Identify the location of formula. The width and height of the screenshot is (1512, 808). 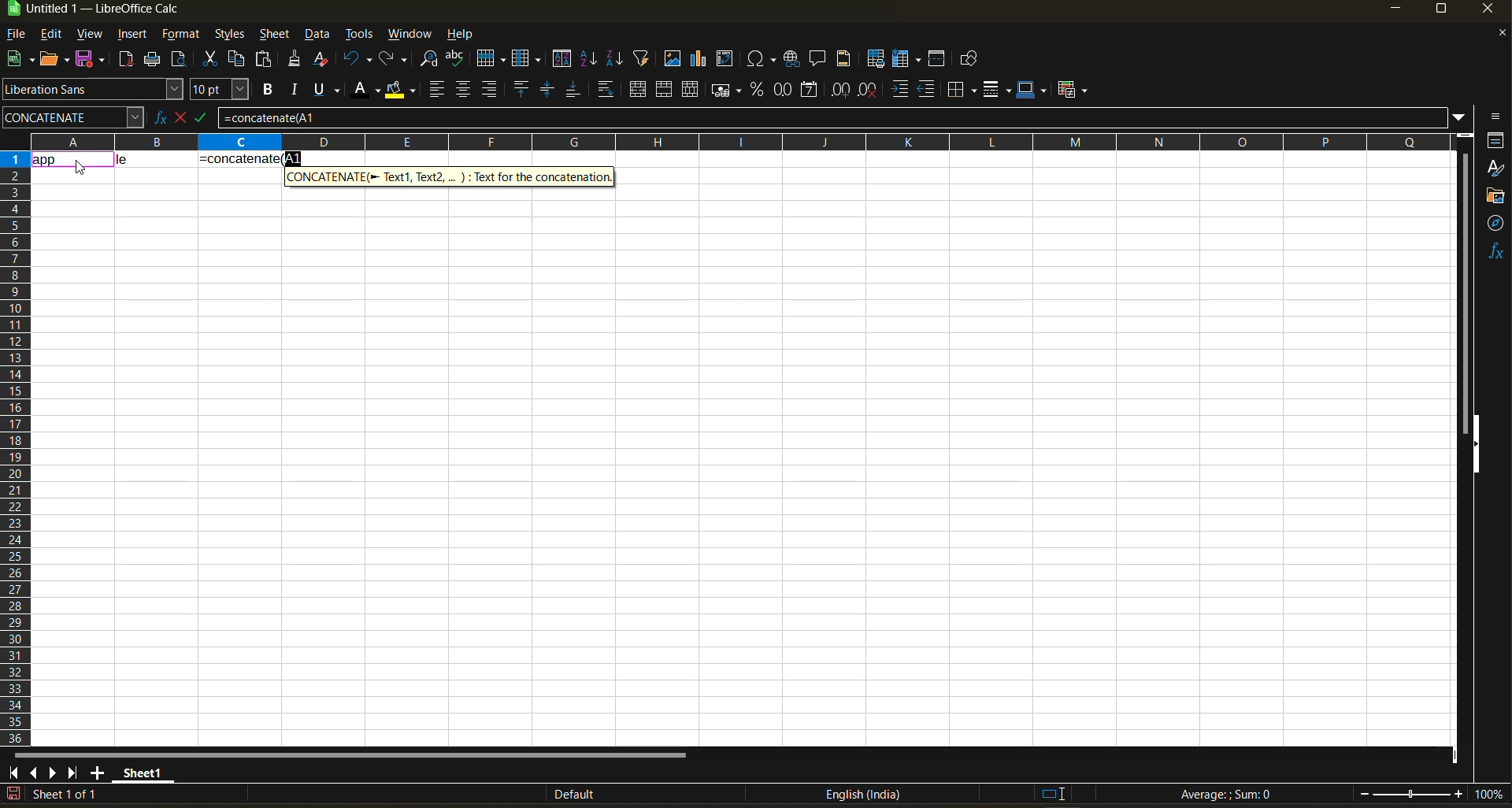
(1231, 796).